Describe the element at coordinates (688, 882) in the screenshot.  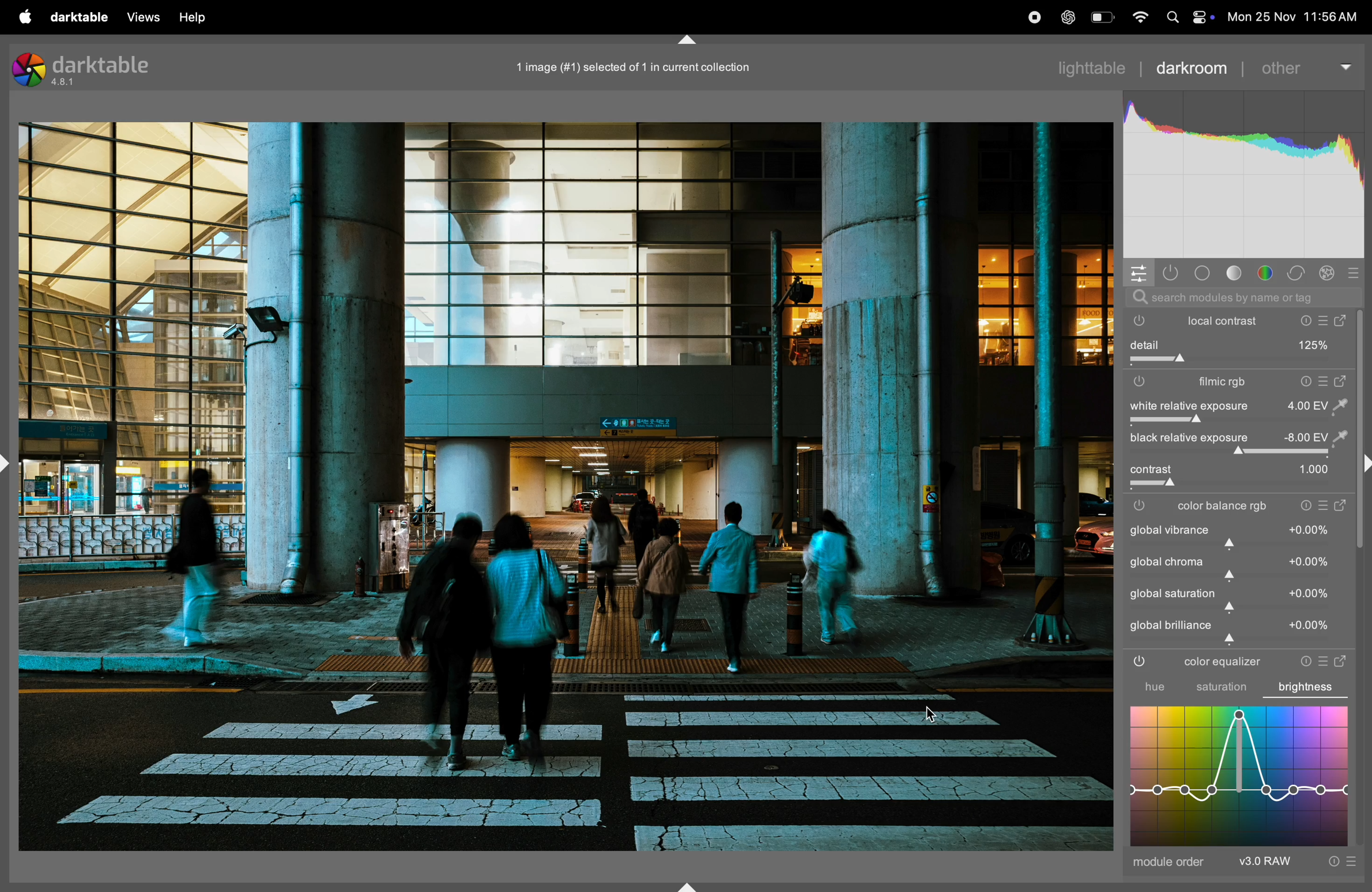
I see `Collapse or expand ` at that location.